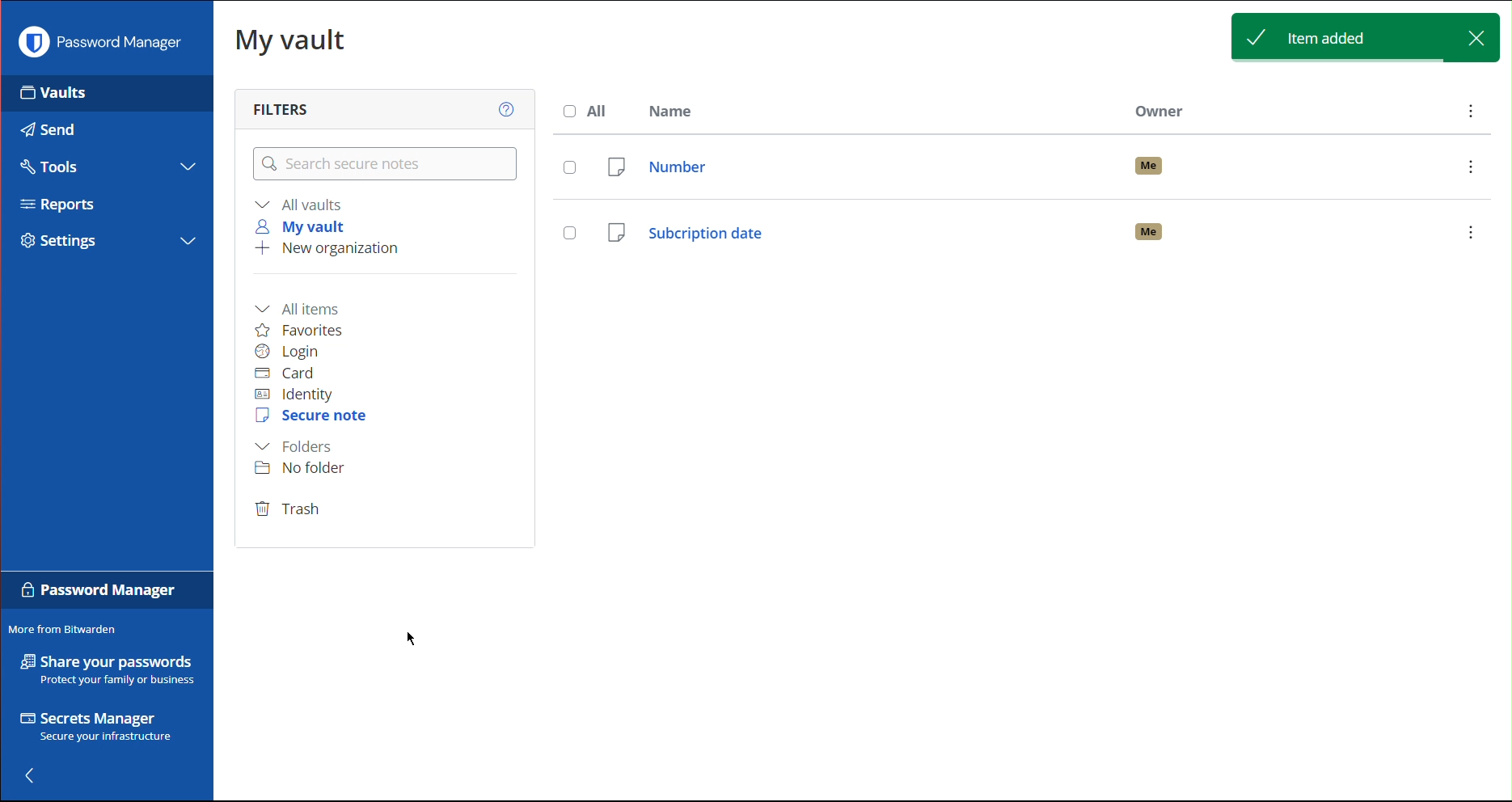 This screenshot has height=802, width=1512. What do you see at coordinates (285, 374) in the screenshot?
I see `Card` at bounding box center [285, 374].